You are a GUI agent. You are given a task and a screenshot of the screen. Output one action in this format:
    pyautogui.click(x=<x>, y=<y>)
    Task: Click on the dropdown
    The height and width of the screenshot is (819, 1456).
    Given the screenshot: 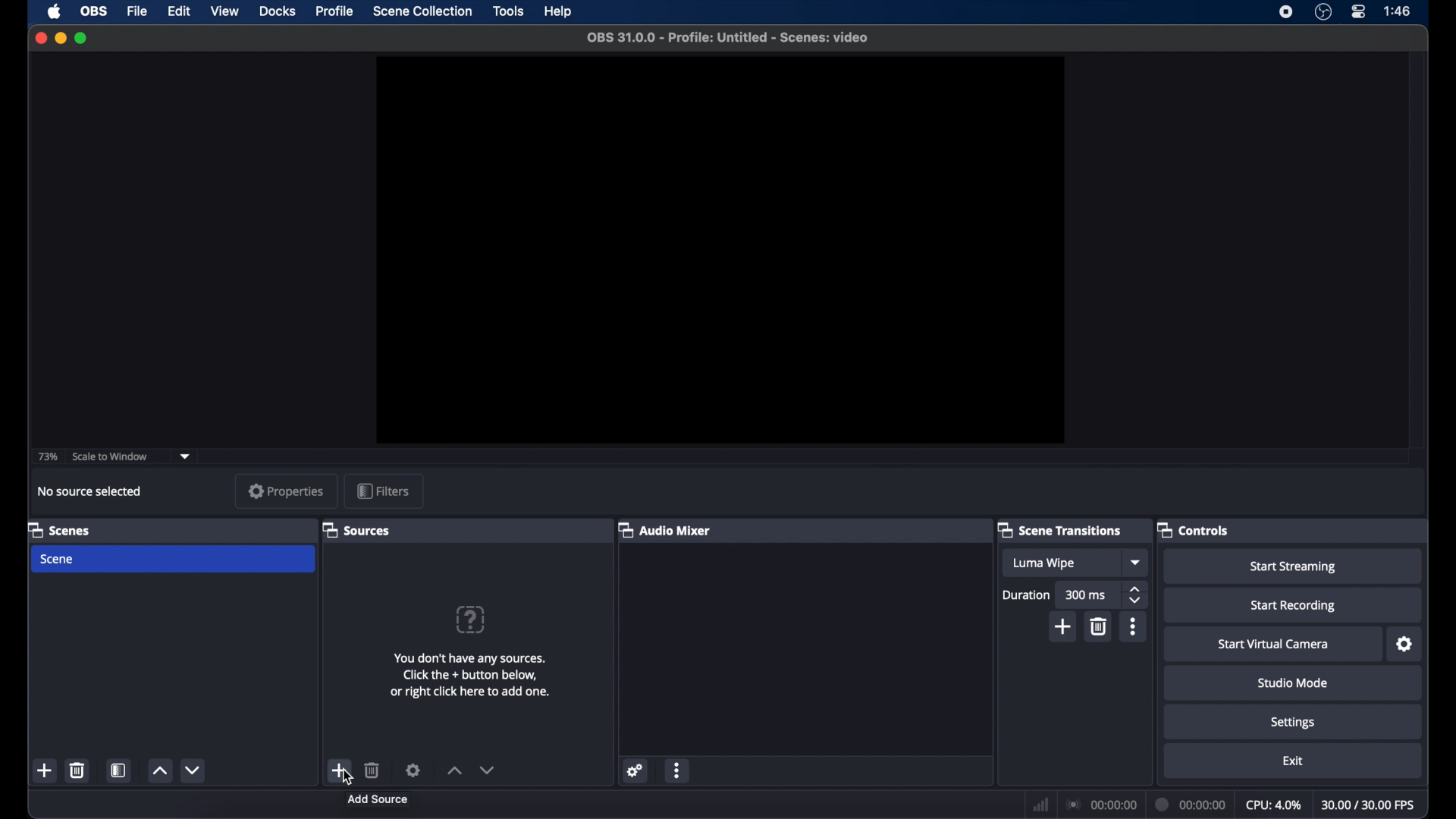 What is the action you would take?
    pyautogui.click(x=185, y=457)
    